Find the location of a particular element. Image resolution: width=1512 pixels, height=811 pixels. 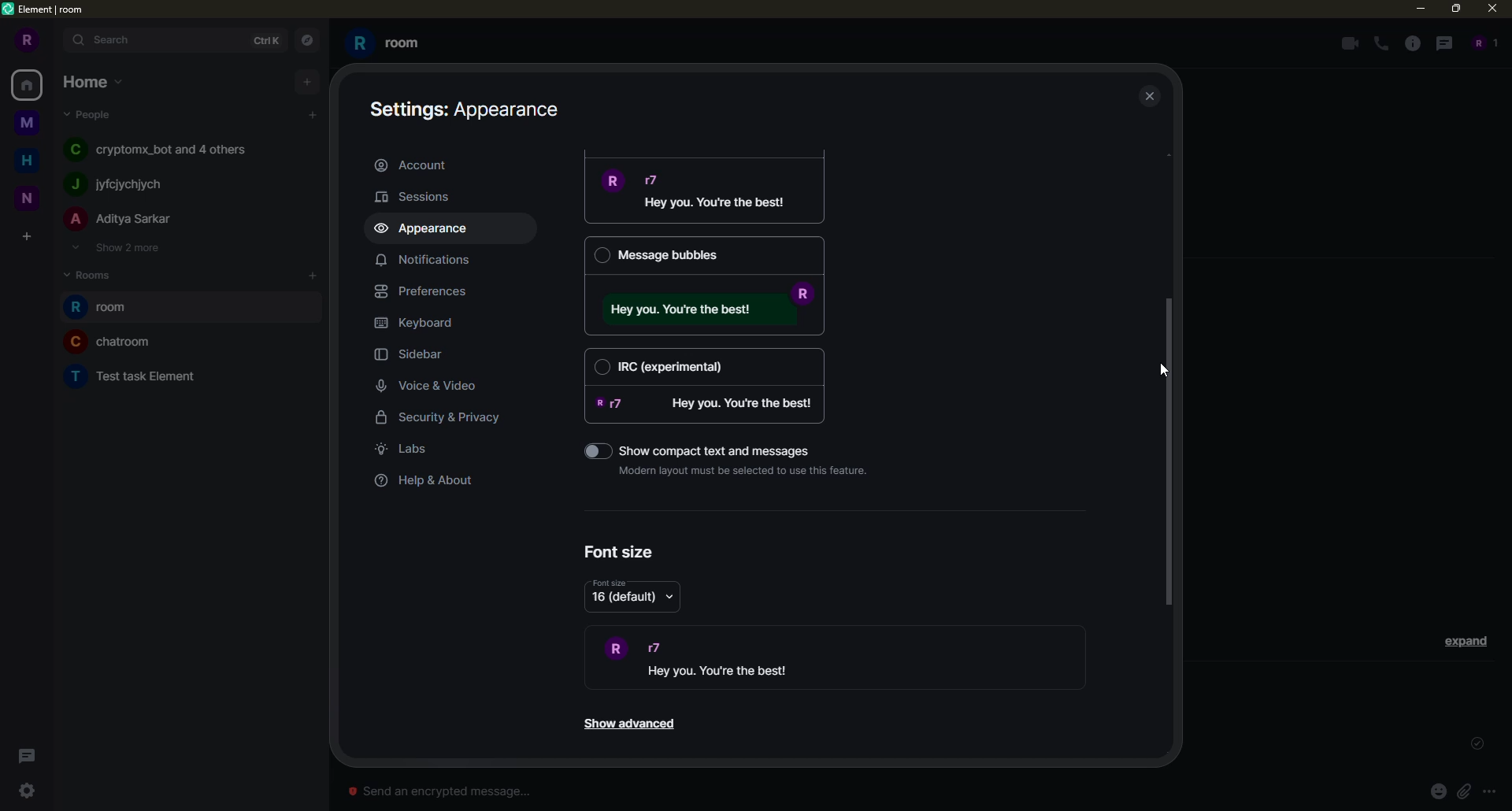

add is located at coordinates (313, 115).